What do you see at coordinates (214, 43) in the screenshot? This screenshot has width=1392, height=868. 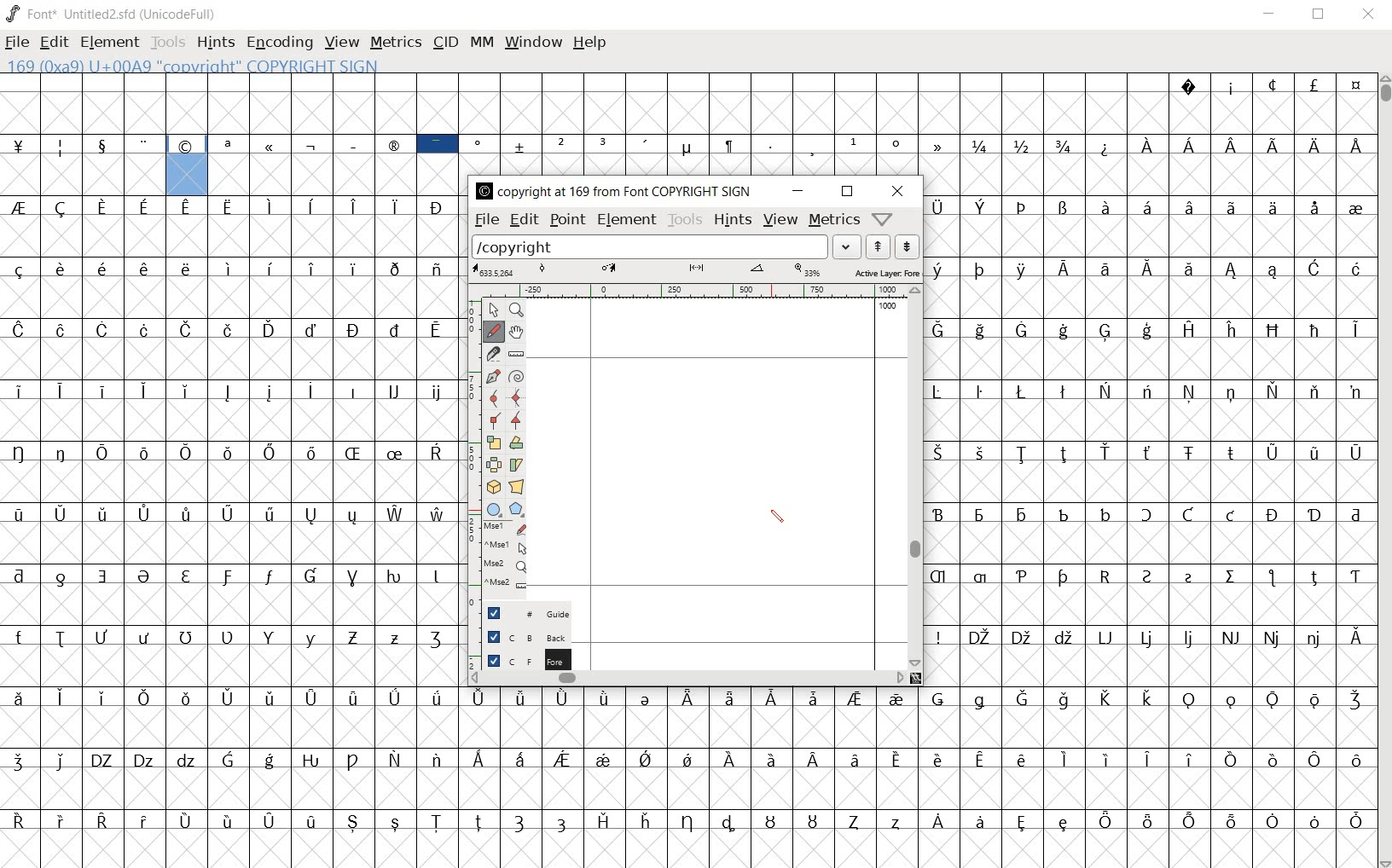 I see `hints` at bounding box center [214, 43].